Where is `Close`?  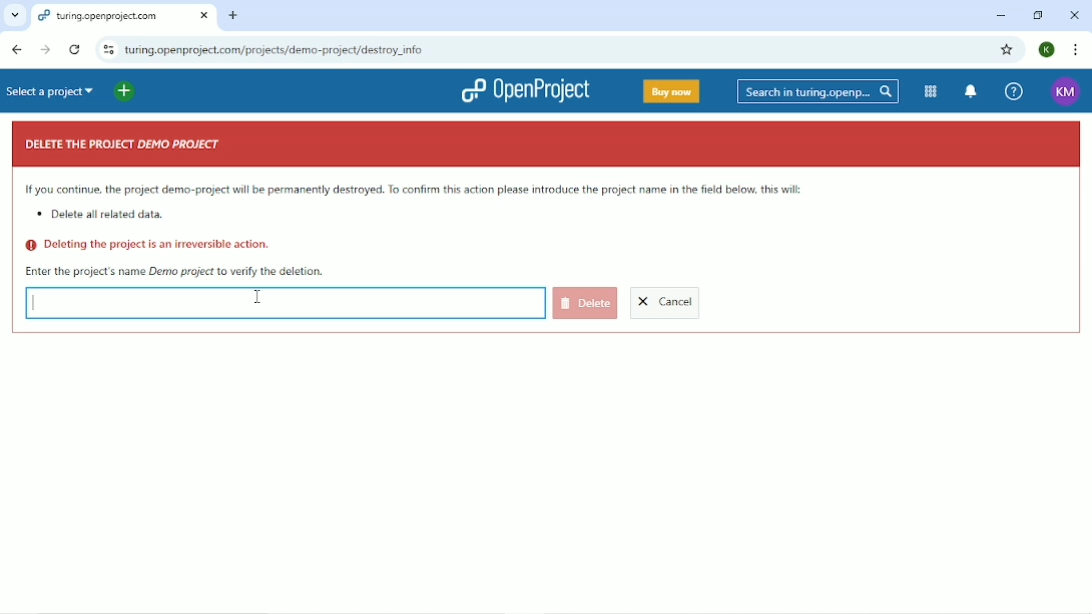
Close is located at coordinates (1076, 16).